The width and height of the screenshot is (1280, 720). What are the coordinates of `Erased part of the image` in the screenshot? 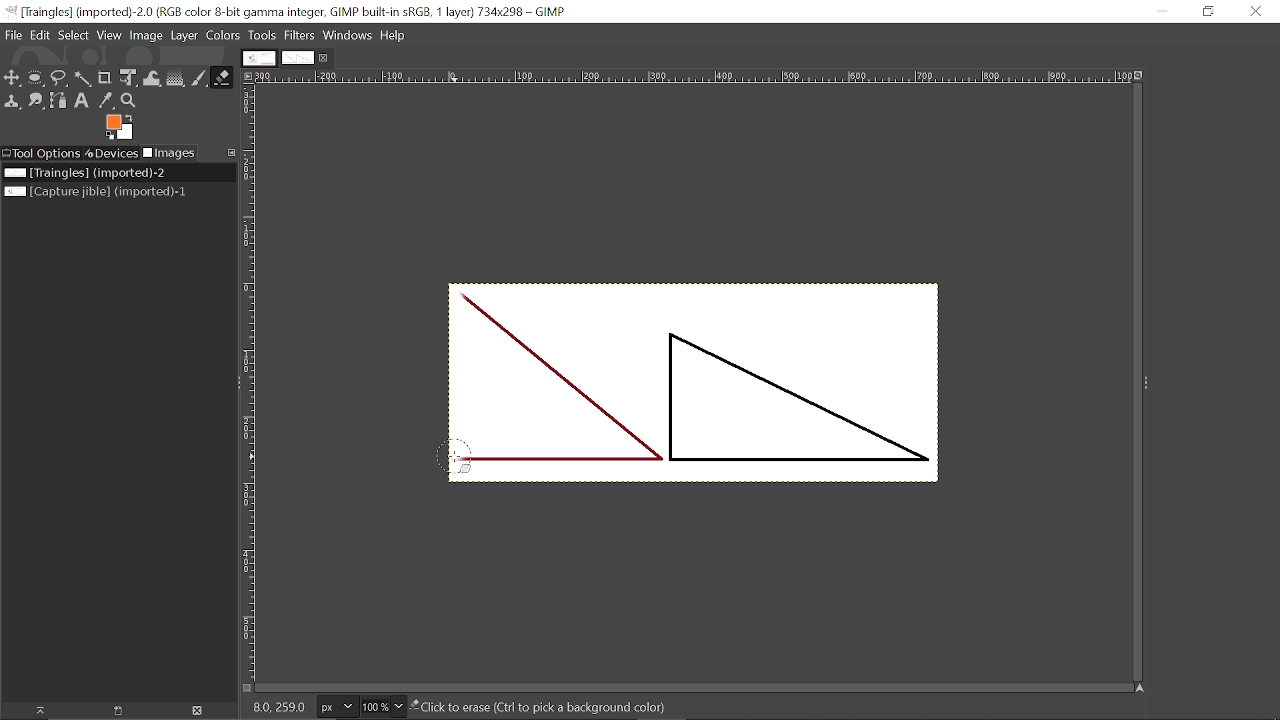 It's located at (464, 359).